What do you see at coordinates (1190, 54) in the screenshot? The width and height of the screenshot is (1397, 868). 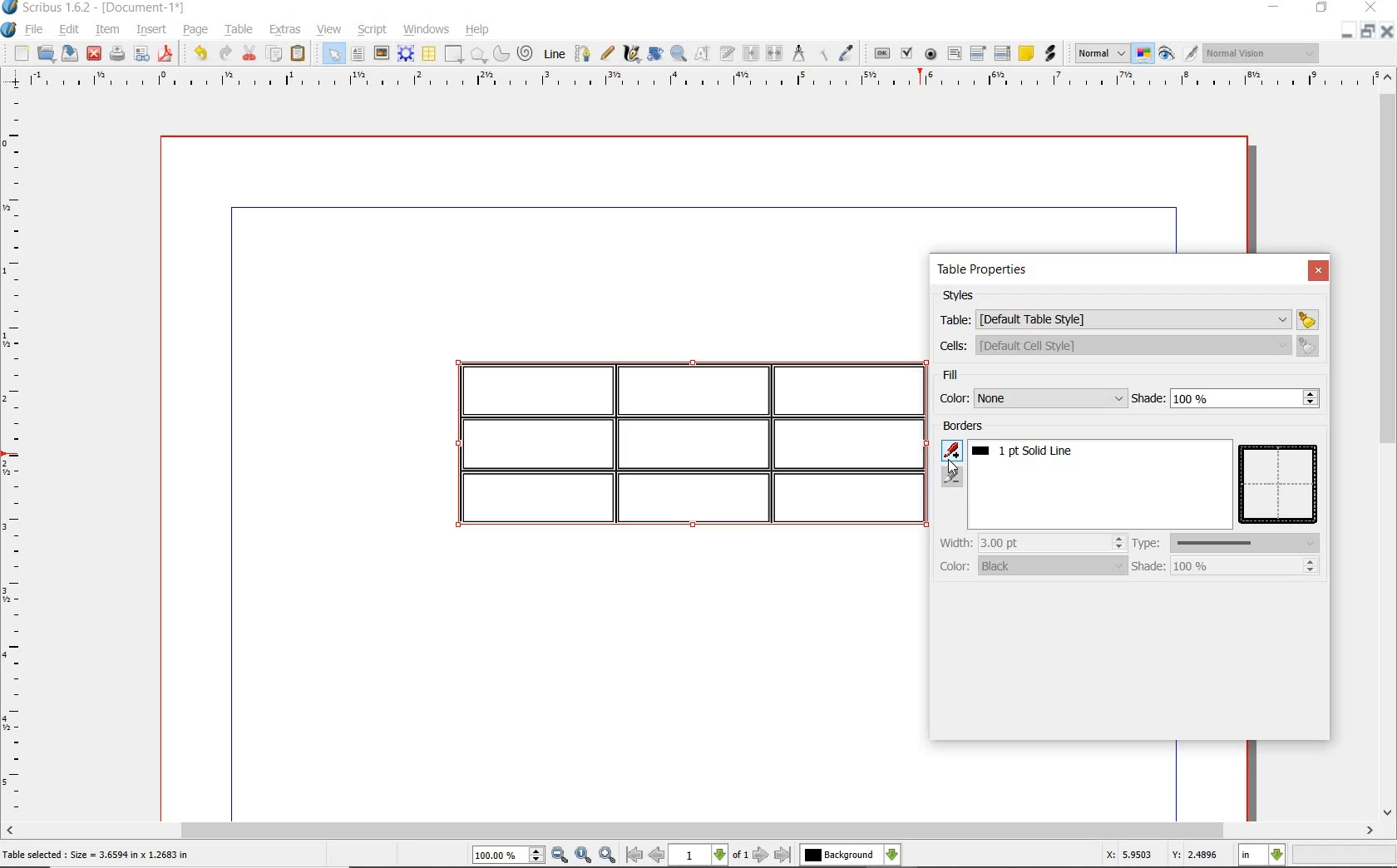 I see `edit in preview mode` at bounding box center [1190, 54].